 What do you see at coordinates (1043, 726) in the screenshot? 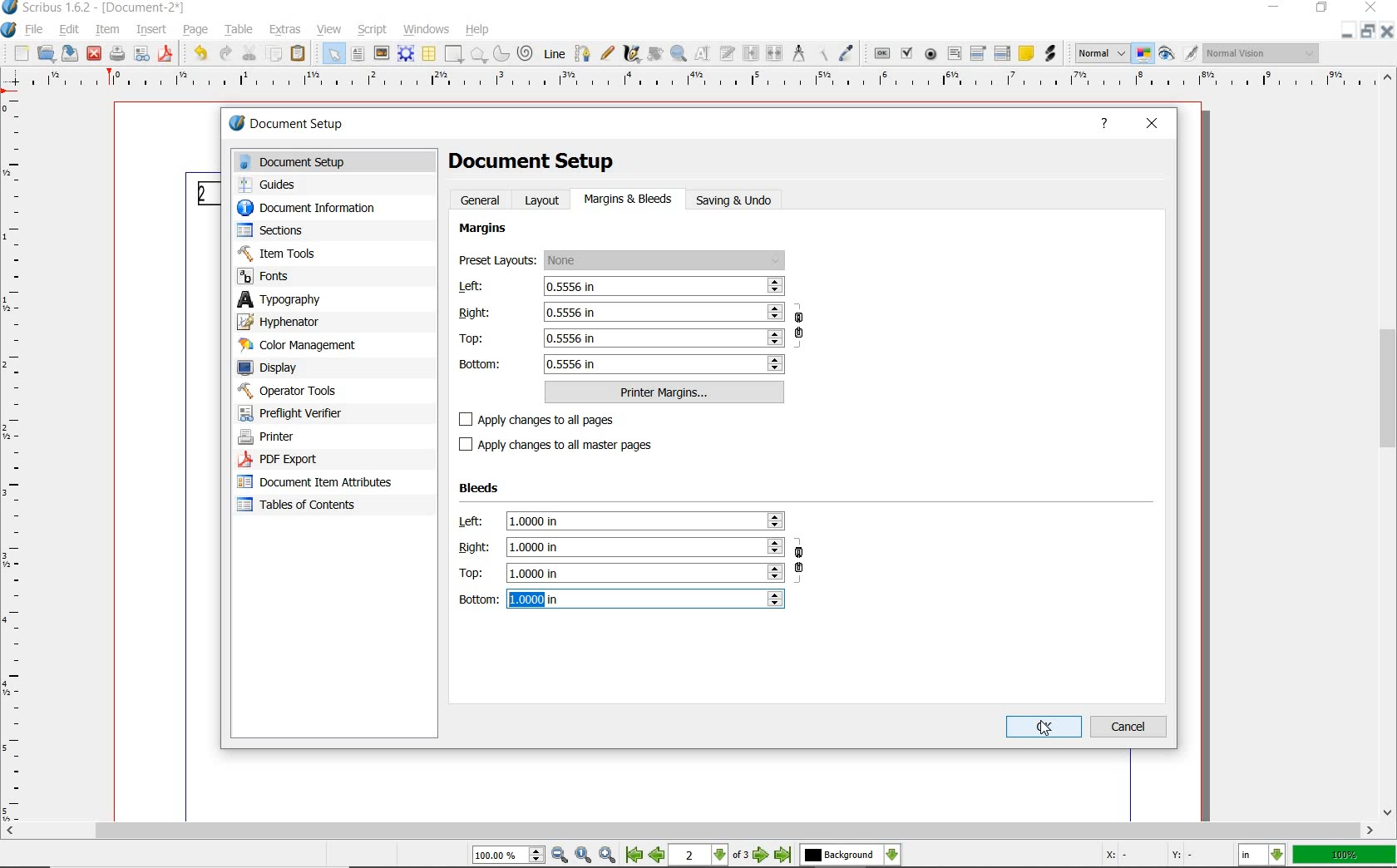
I see `ok` at bounding box center [1043, 726].